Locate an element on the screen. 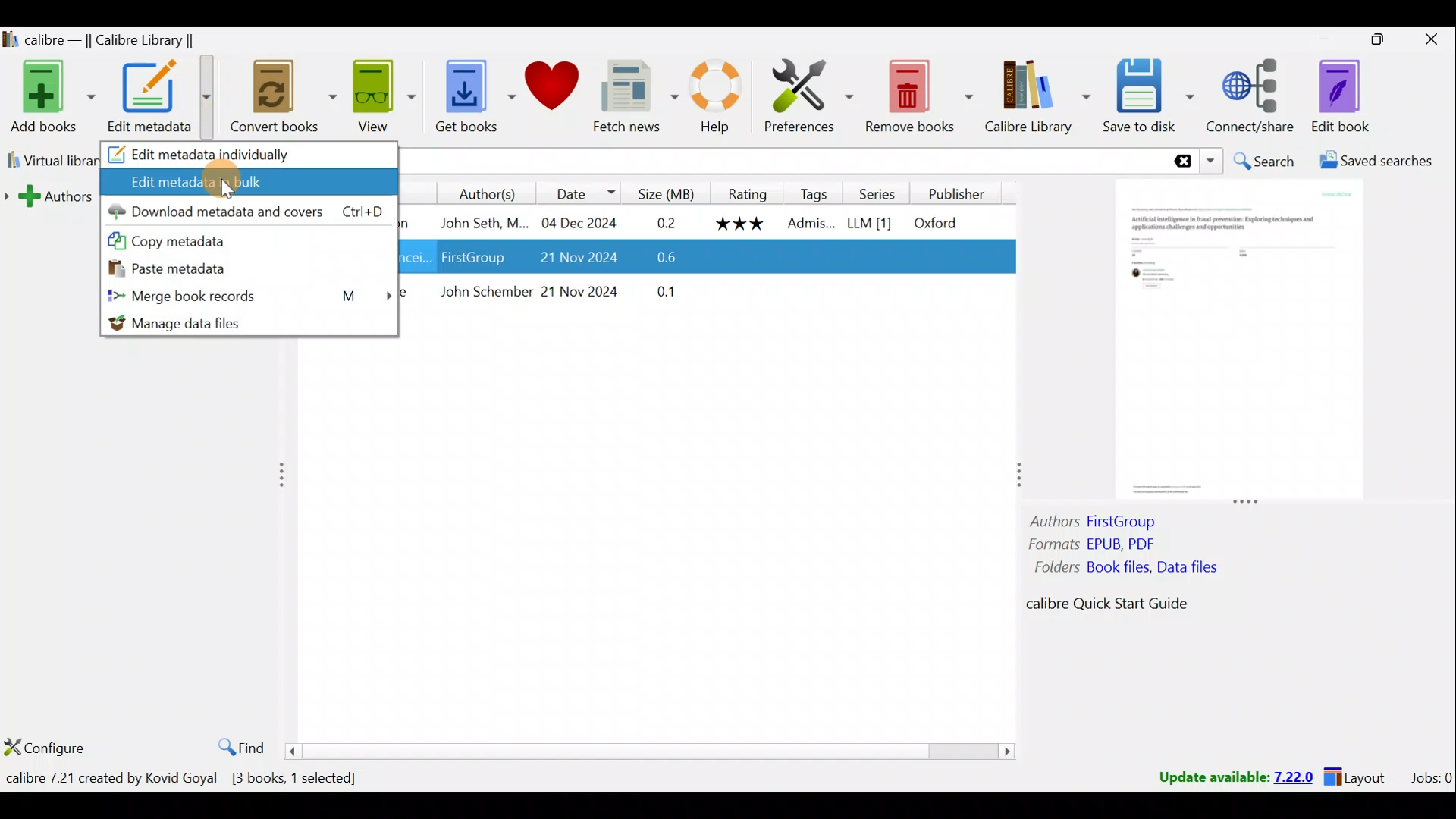 Image resolution: width=1456 pixels, height=819 pixels. Maximise is located at coordinates (1378, 42).